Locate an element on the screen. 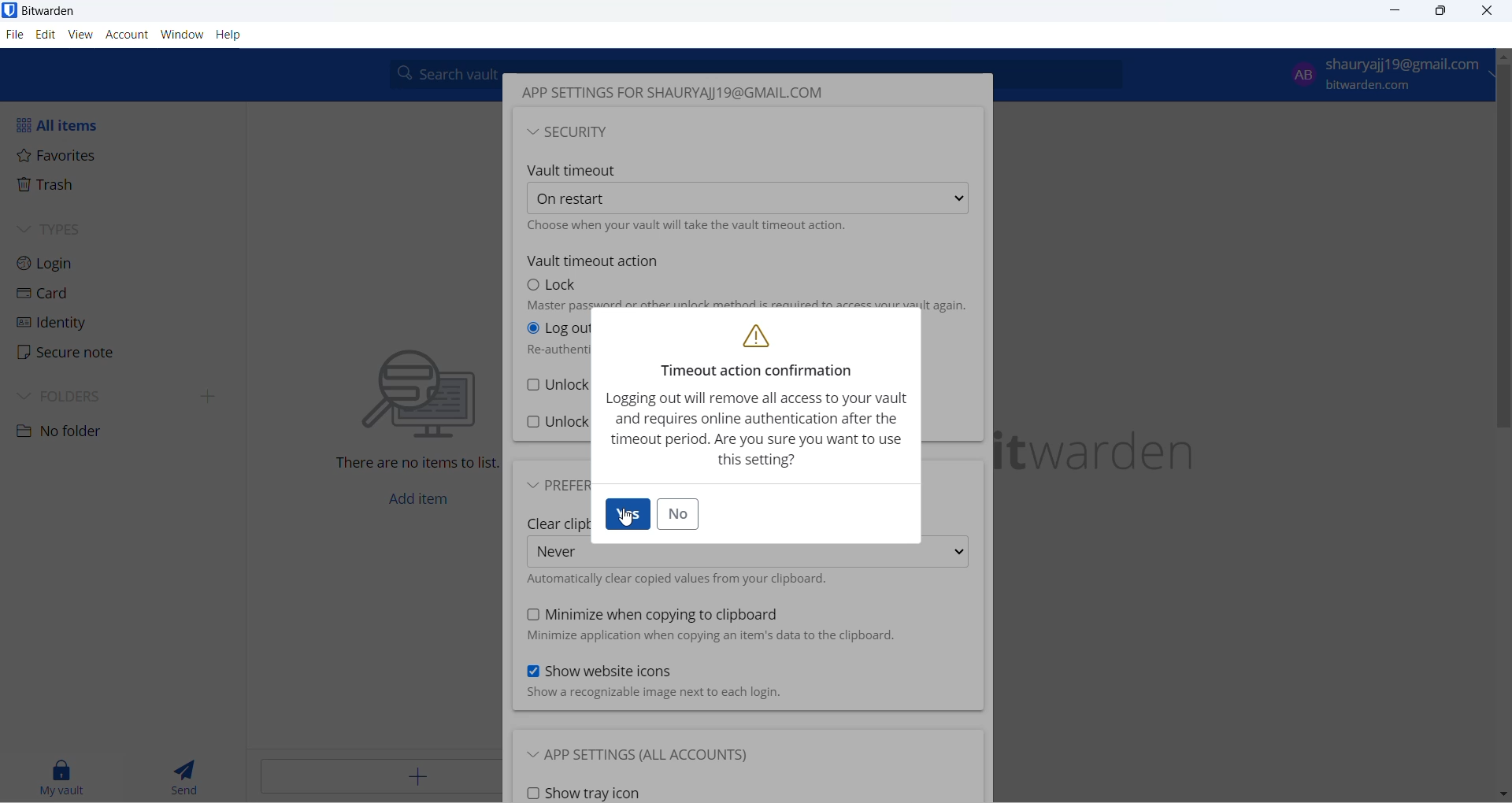  text is located at coordinates (695, 228).